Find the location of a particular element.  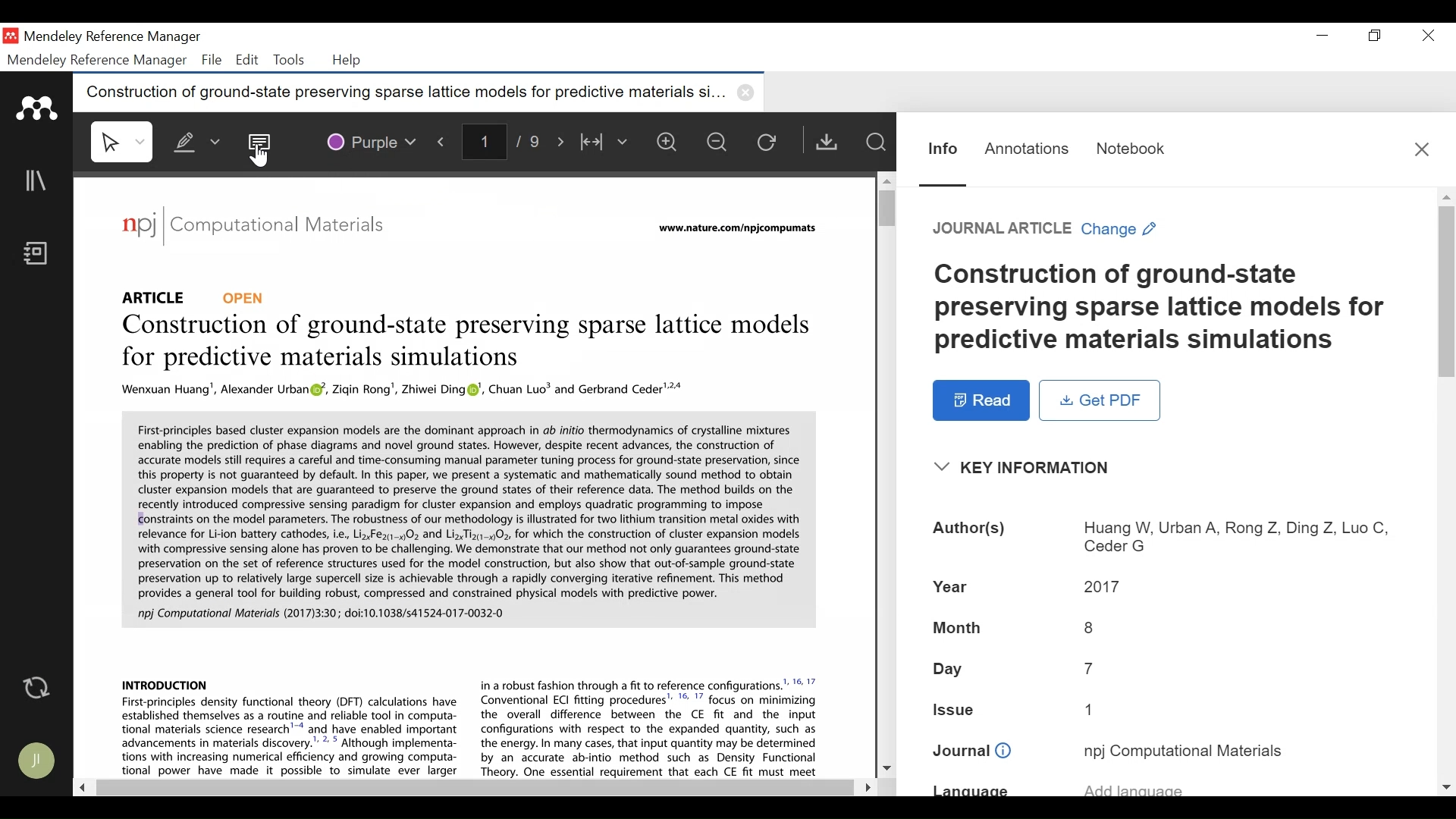

Information is located at coordinates (940, 147).